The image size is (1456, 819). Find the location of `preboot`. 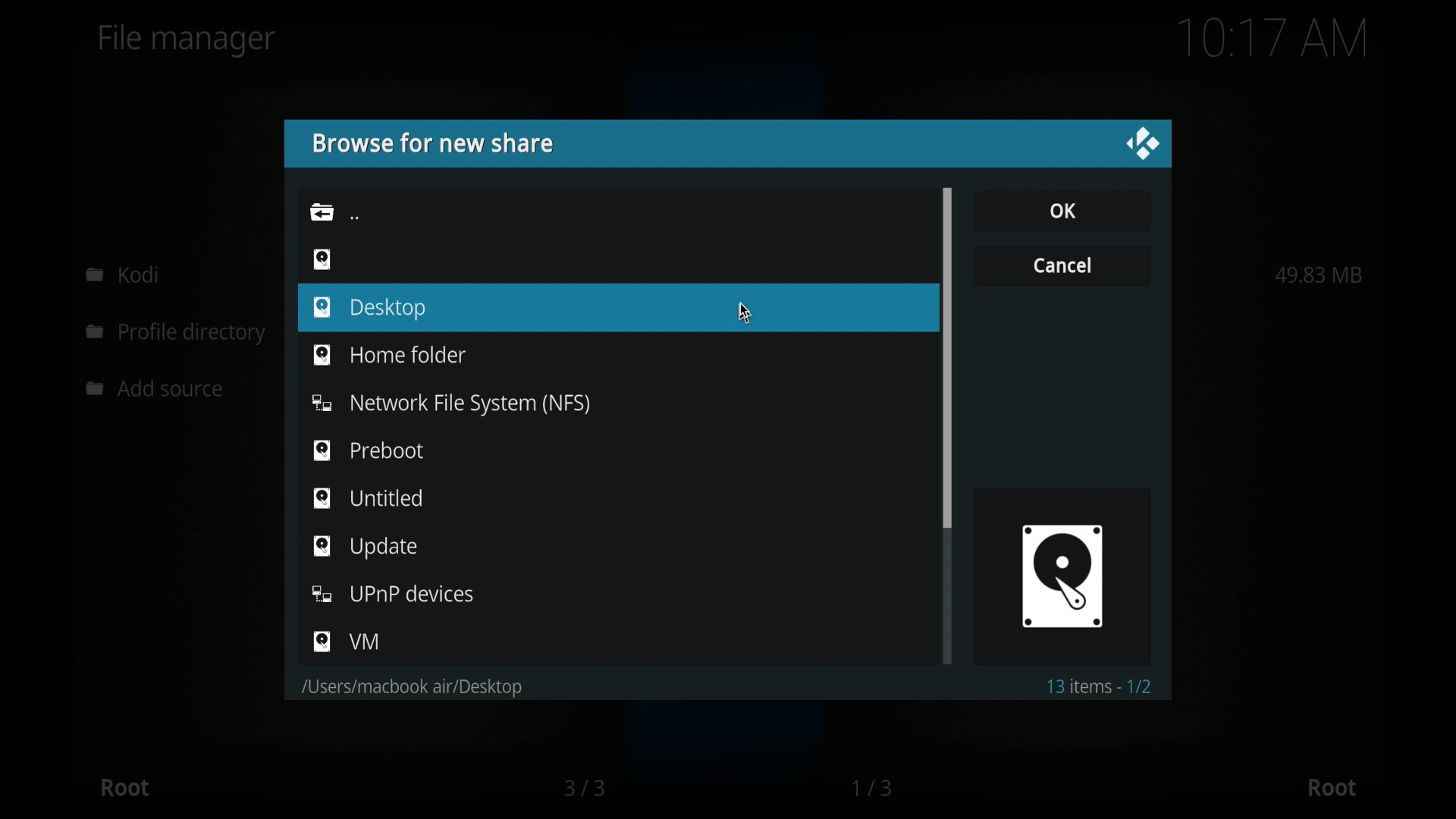

preboot is located at coordinates (369, 450).